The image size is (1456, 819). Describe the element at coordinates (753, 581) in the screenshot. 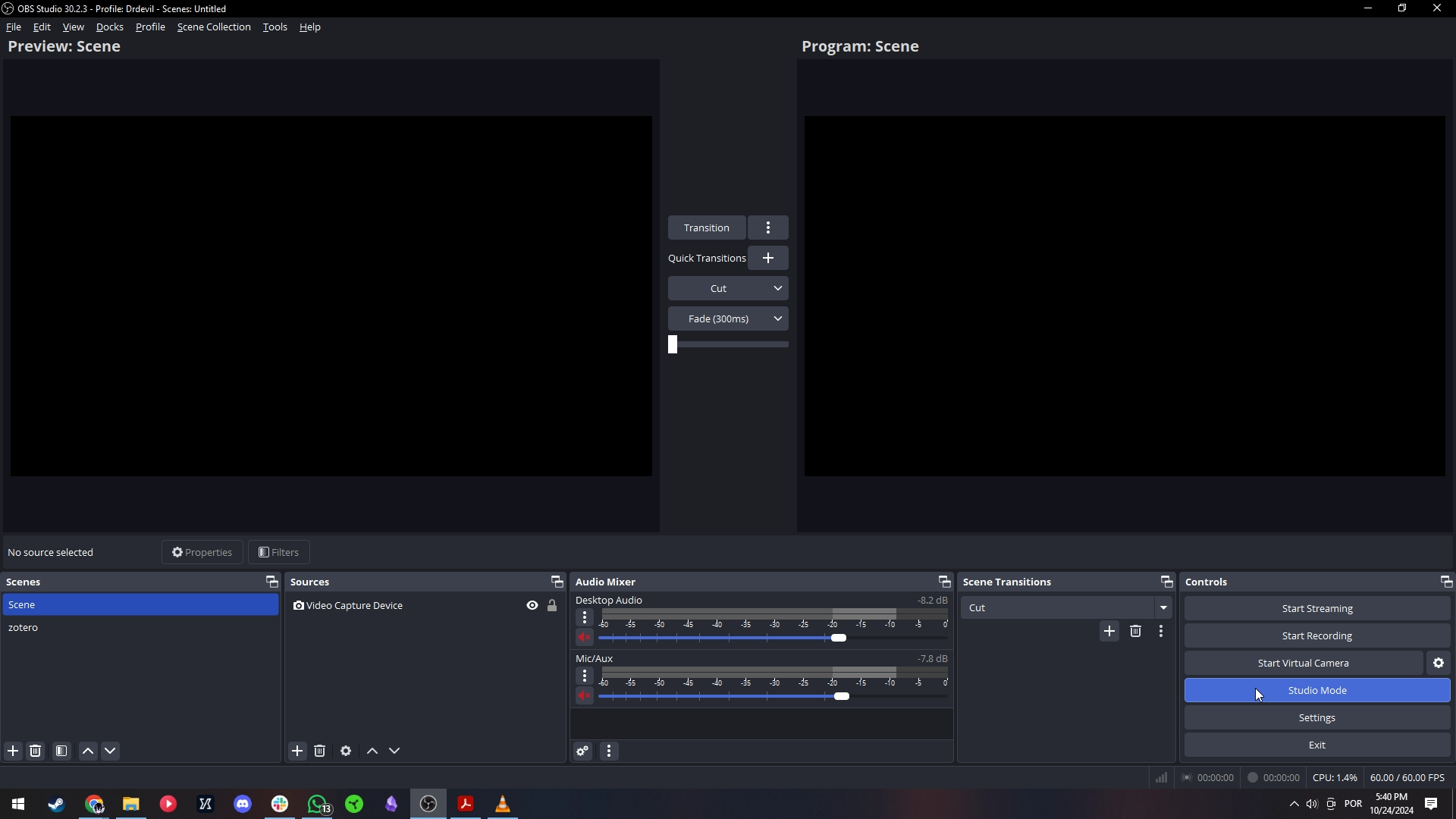

I see `Audio mixer header` at that location.